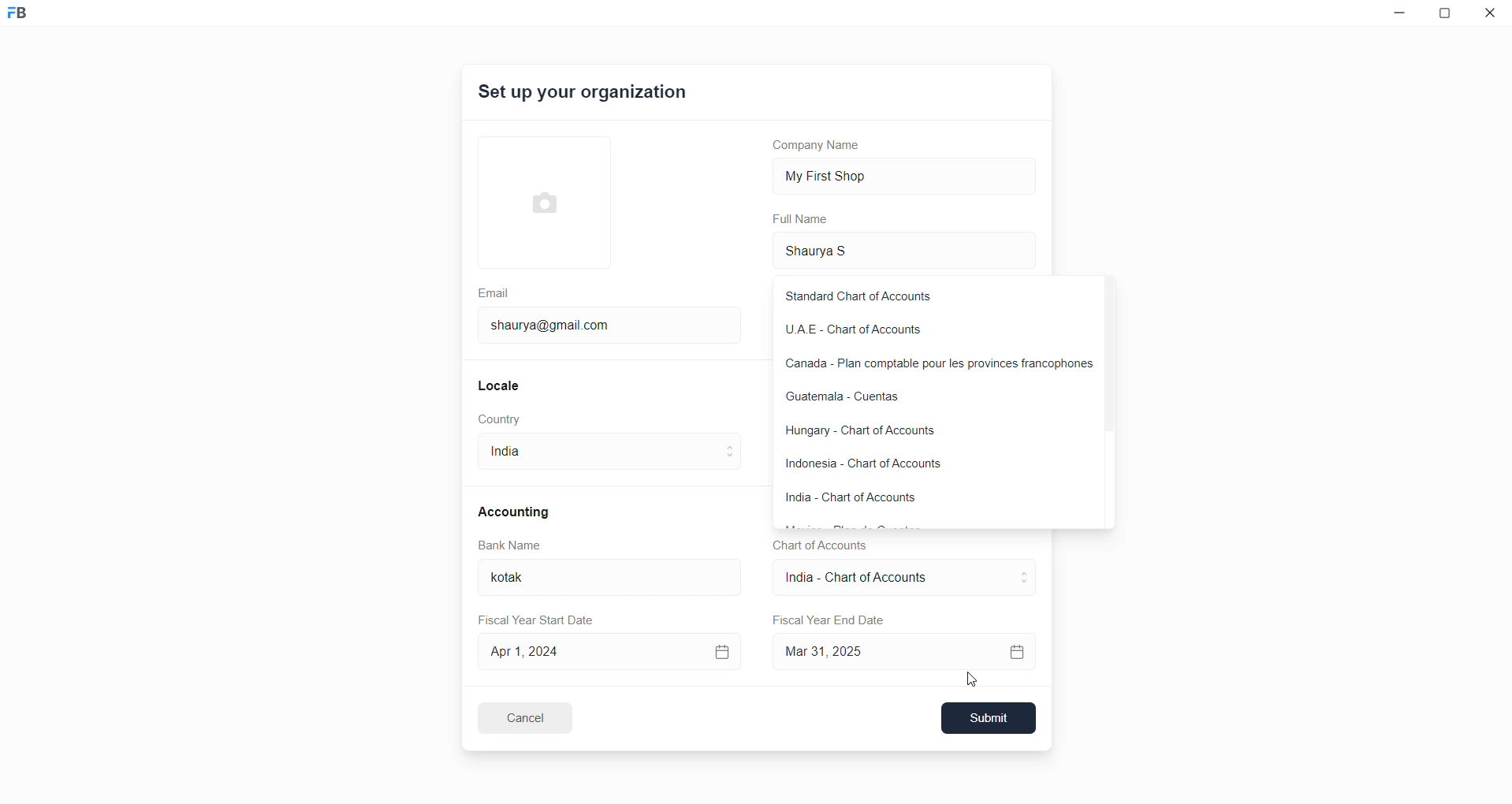 Image resolution: width=1512 pixels, height=804 pixels. I want to click on close, so click(1491, 16).